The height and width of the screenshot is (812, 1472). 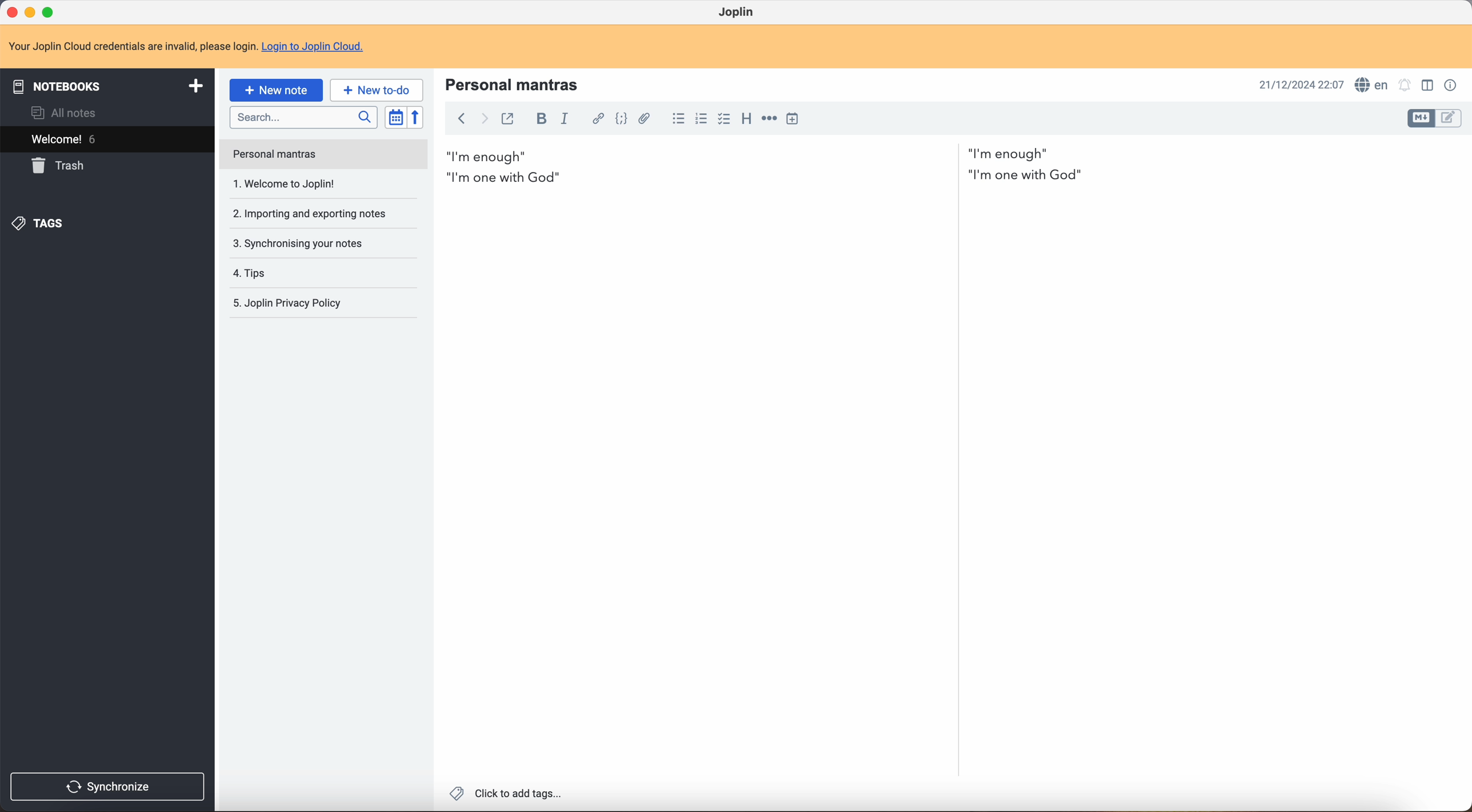 What do you see at coordinates (543, 118) in the screenshot?
I see `bold` at bounding box center [543, 118].